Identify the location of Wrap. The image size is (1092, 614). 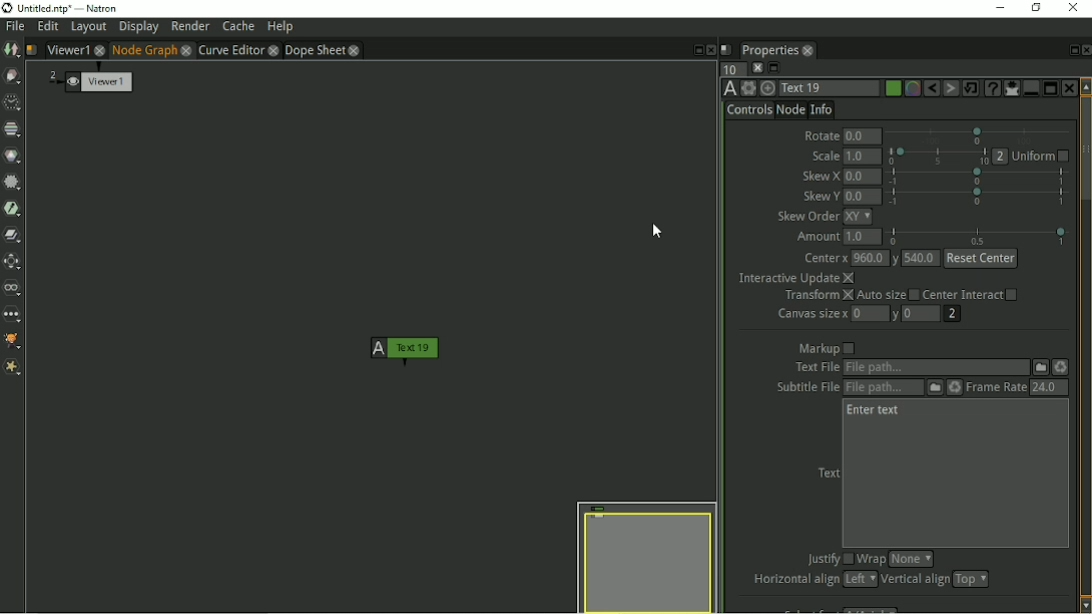
(871, 558).